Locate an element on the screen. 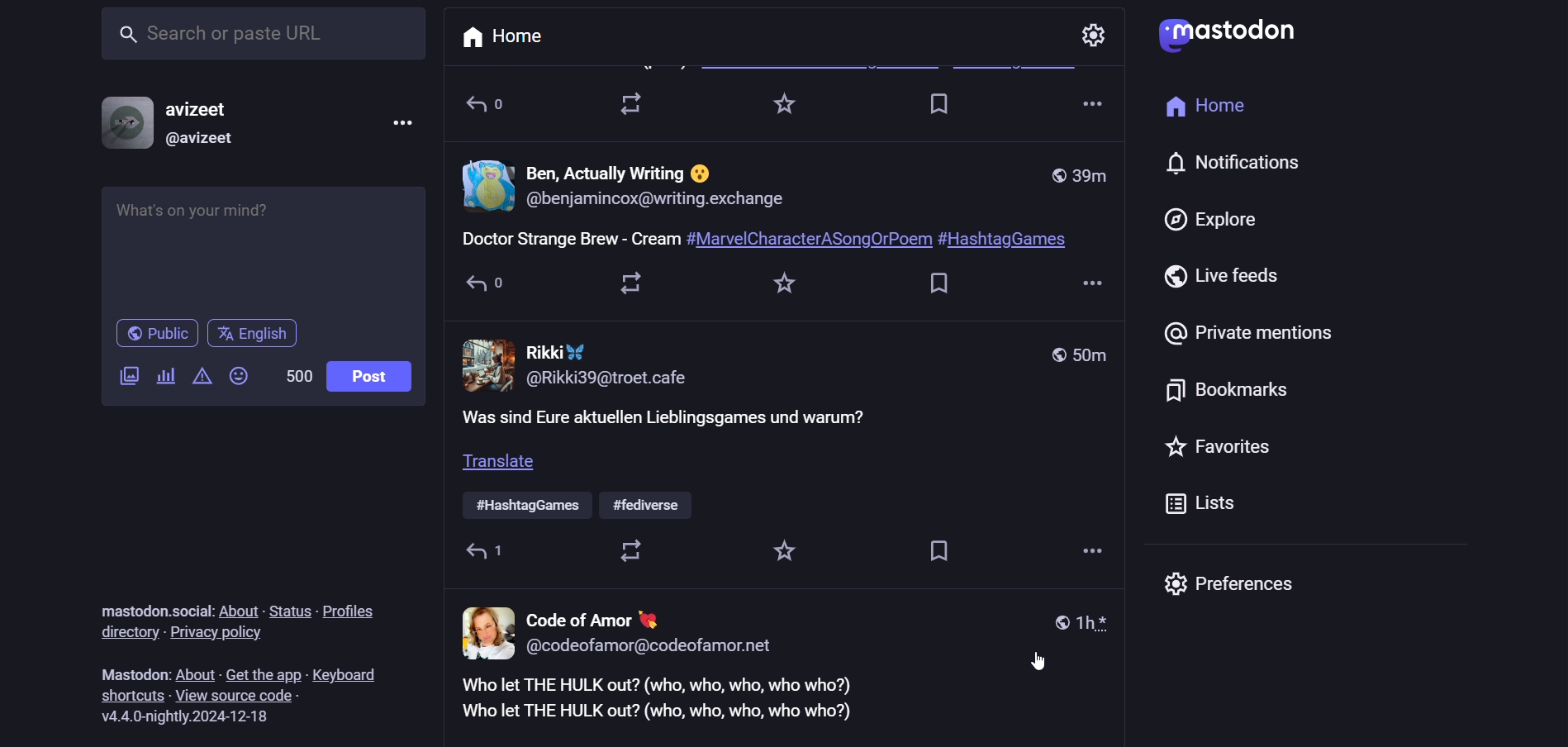 This screenshot has width=1568, height=747. bookmarks is located at coordinates (1230, 396).